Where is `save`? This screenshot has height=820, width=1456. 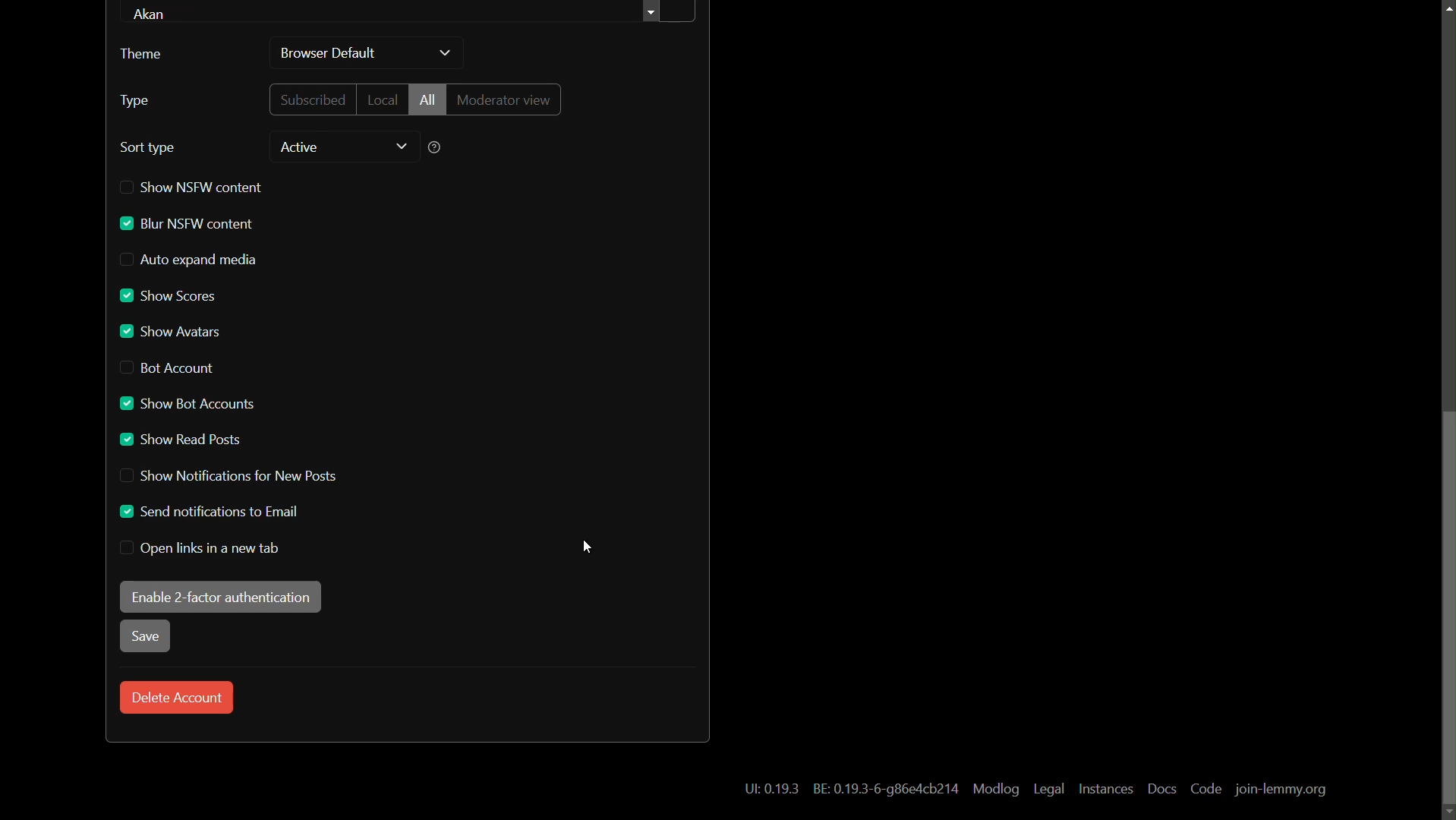 save is located at coordinates (146, 637).